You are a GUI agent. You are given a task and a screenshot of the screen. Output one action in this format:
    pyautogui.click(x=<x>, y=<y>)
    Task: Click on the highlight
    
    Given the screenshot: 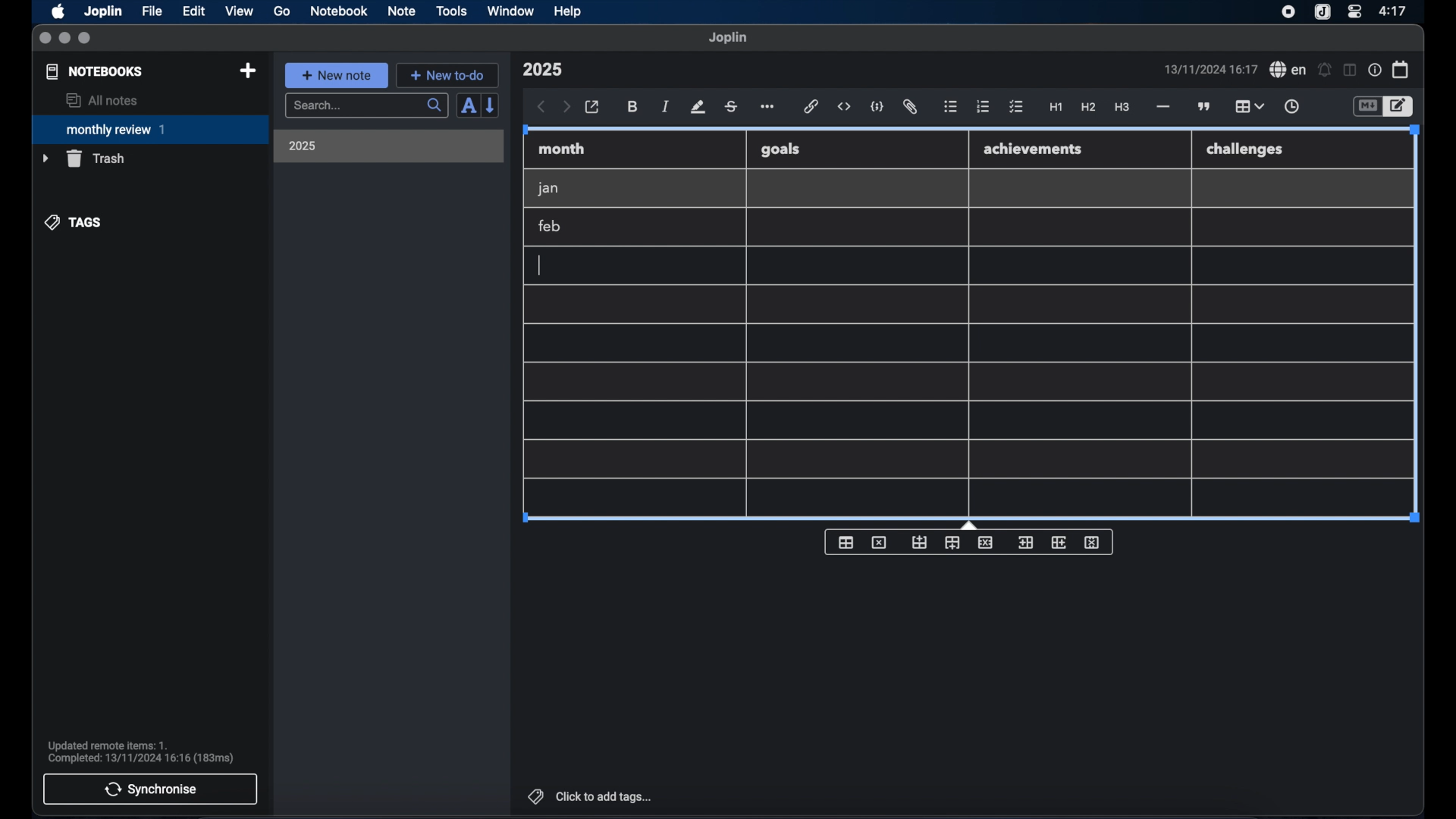 What is the action you would take?
    pyautogui.click(x=698, y=107)
    